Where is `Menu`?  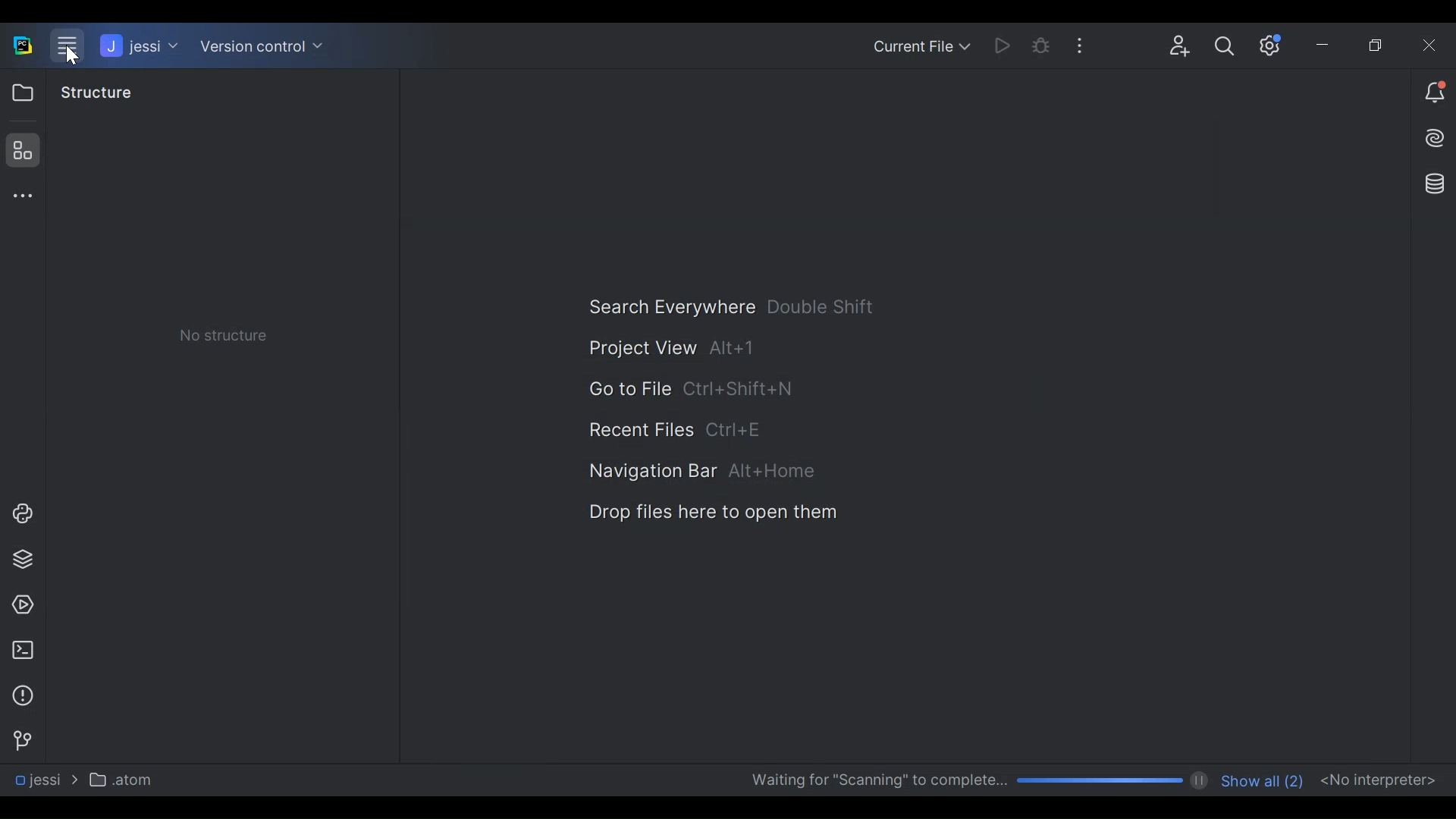
Menu is located at coordinates (64, 45).